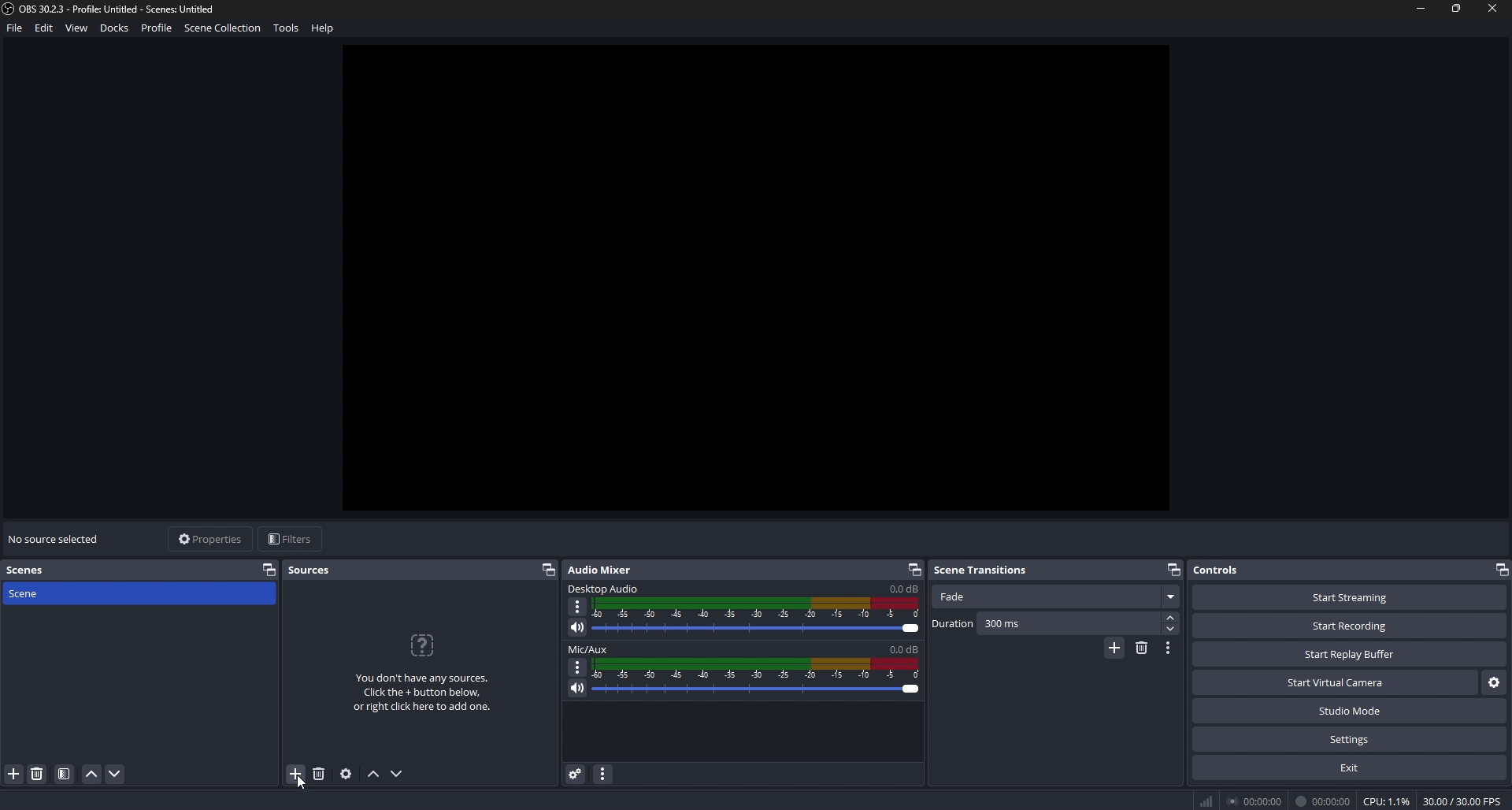 The width and height of the screenshot is (1512, 810). What do you see at coordinates (1114, 650) in the screenshot?
I see `add transition` at bounding box center [1114, 650].